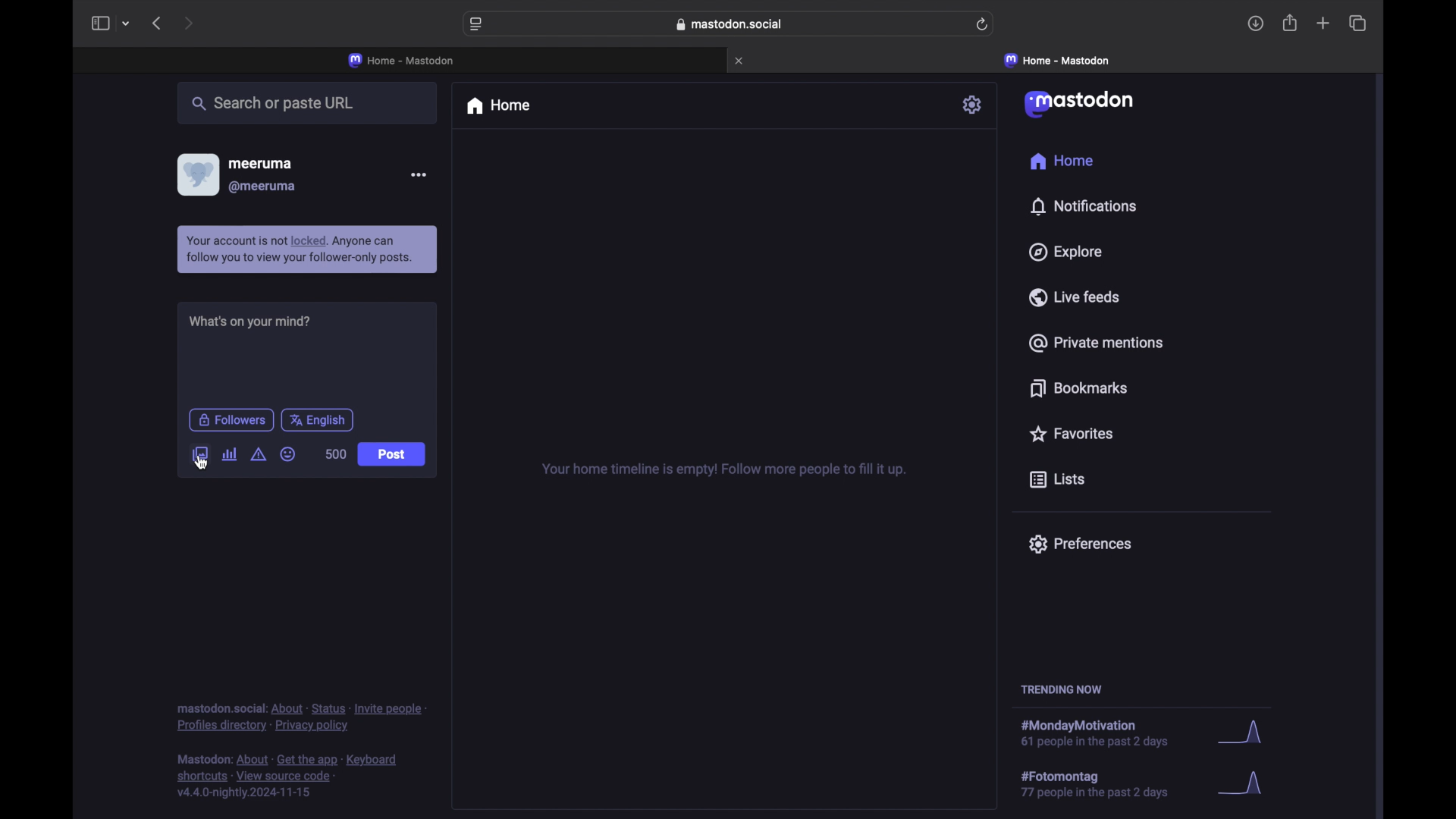 The image size is (1456, 819). What do you see at coordinates (318, 421) in the screenshot?
I see `english` at bounding box center [318, 421].